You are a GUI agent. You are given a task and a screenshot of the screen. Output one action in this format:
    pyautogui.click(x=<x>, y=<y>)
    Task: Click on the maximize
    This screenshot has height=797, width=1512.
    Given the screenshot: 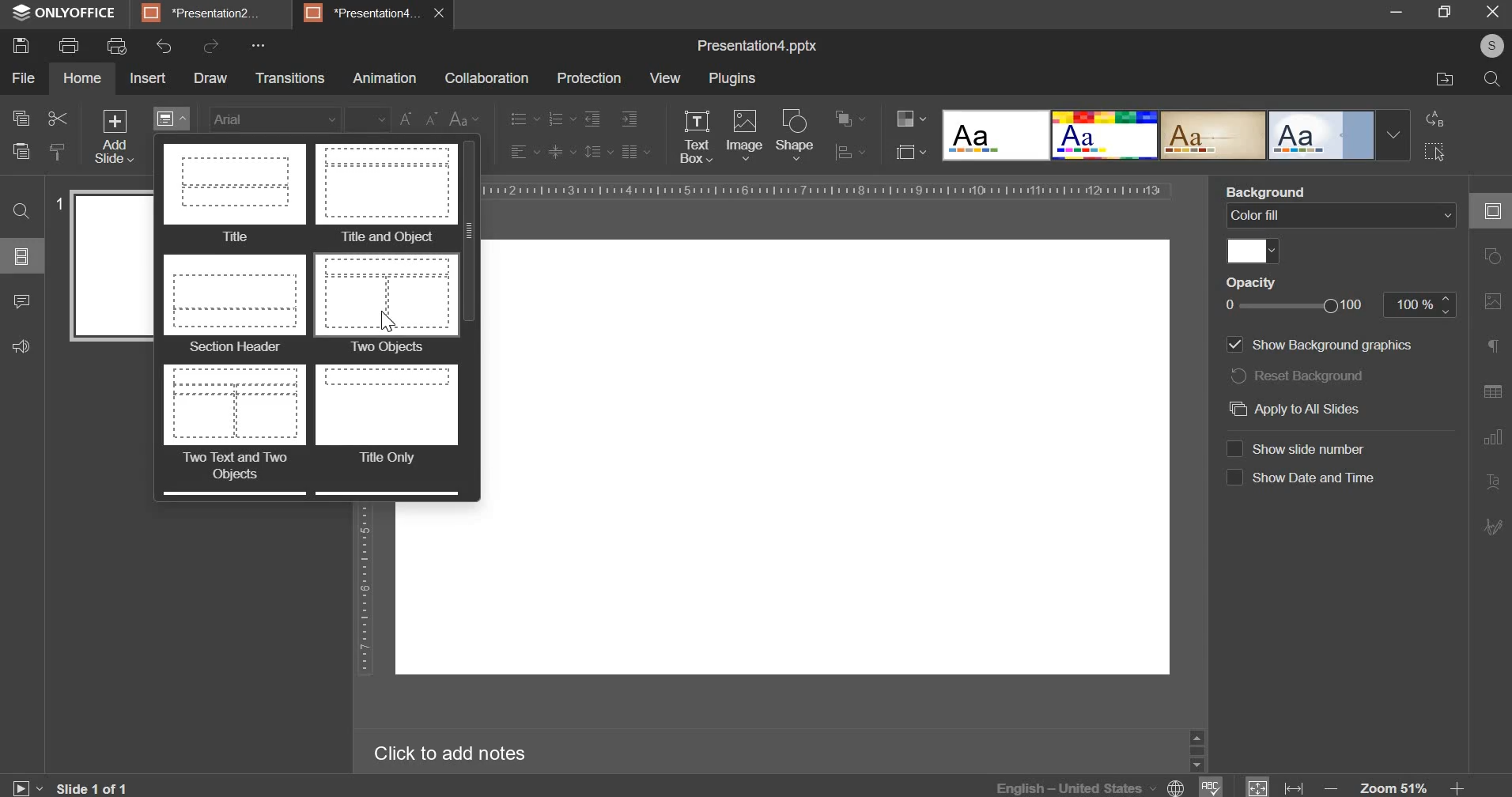 What is the action you would take?
    pyautogui.click(x=1446, y=11)
    